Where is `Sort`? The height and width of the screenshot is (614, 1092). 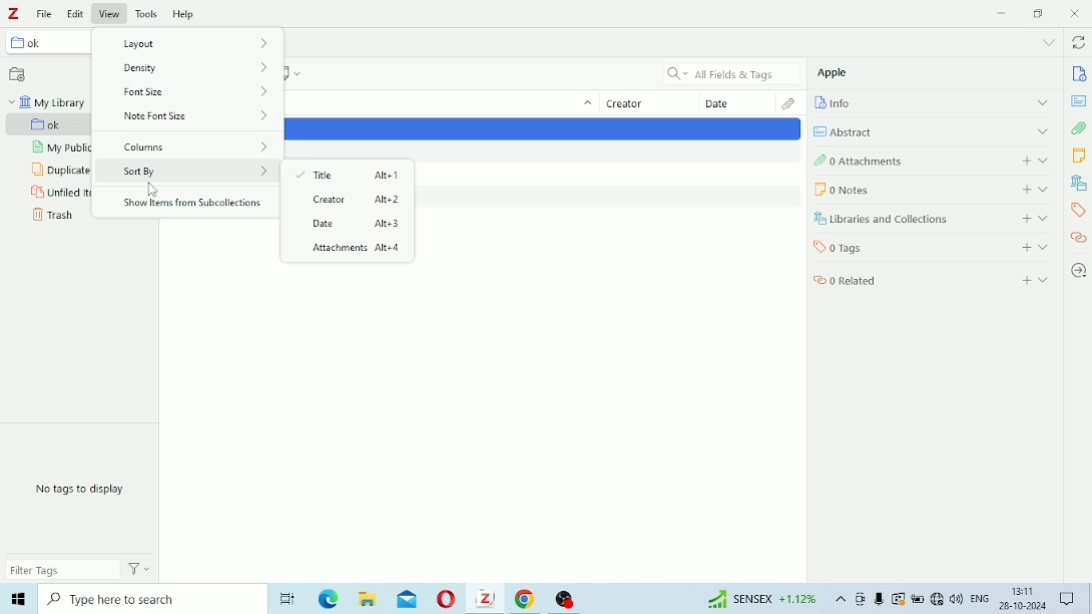
Sort is located at coordinates (585, 105).